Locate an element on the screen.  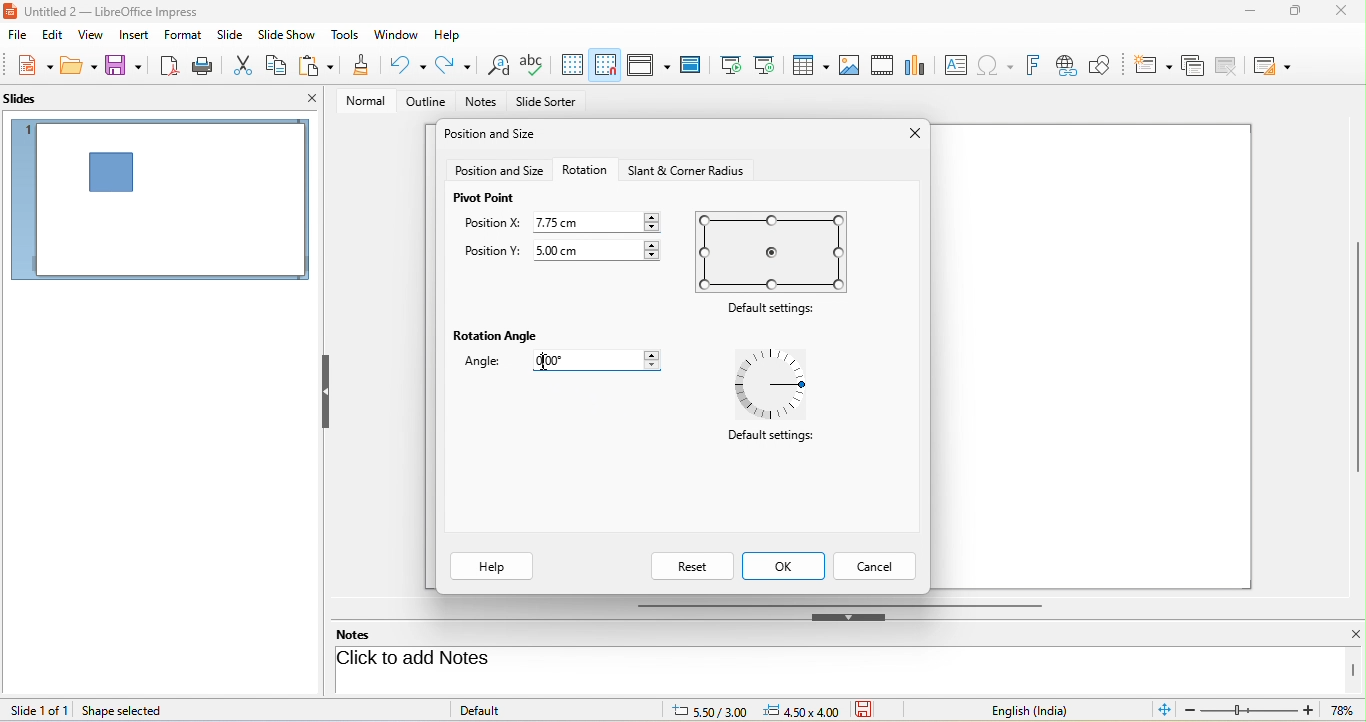
table is located at coordinates (812, 67).